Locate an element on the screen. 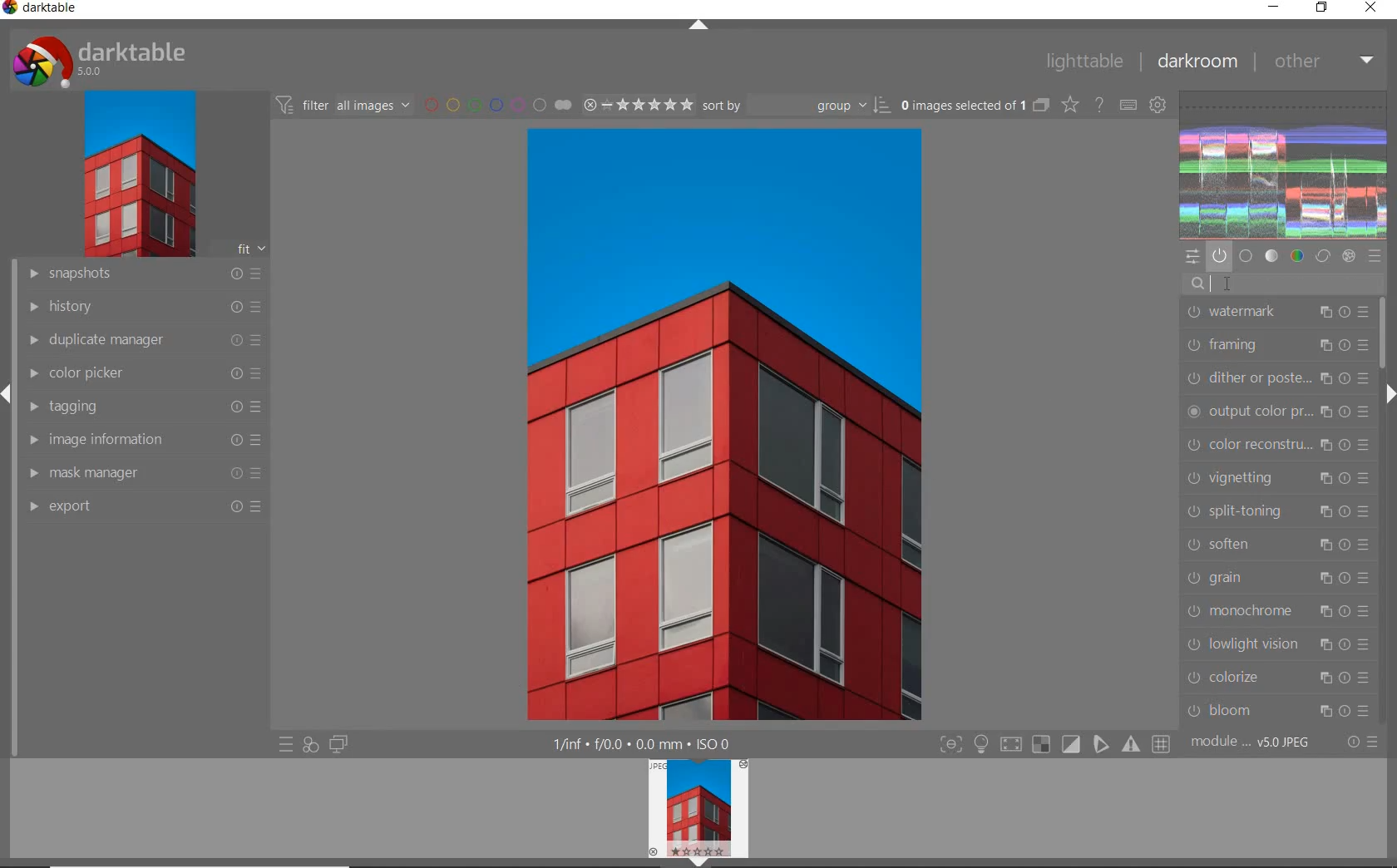  color is located at coordinates (1296, 258).